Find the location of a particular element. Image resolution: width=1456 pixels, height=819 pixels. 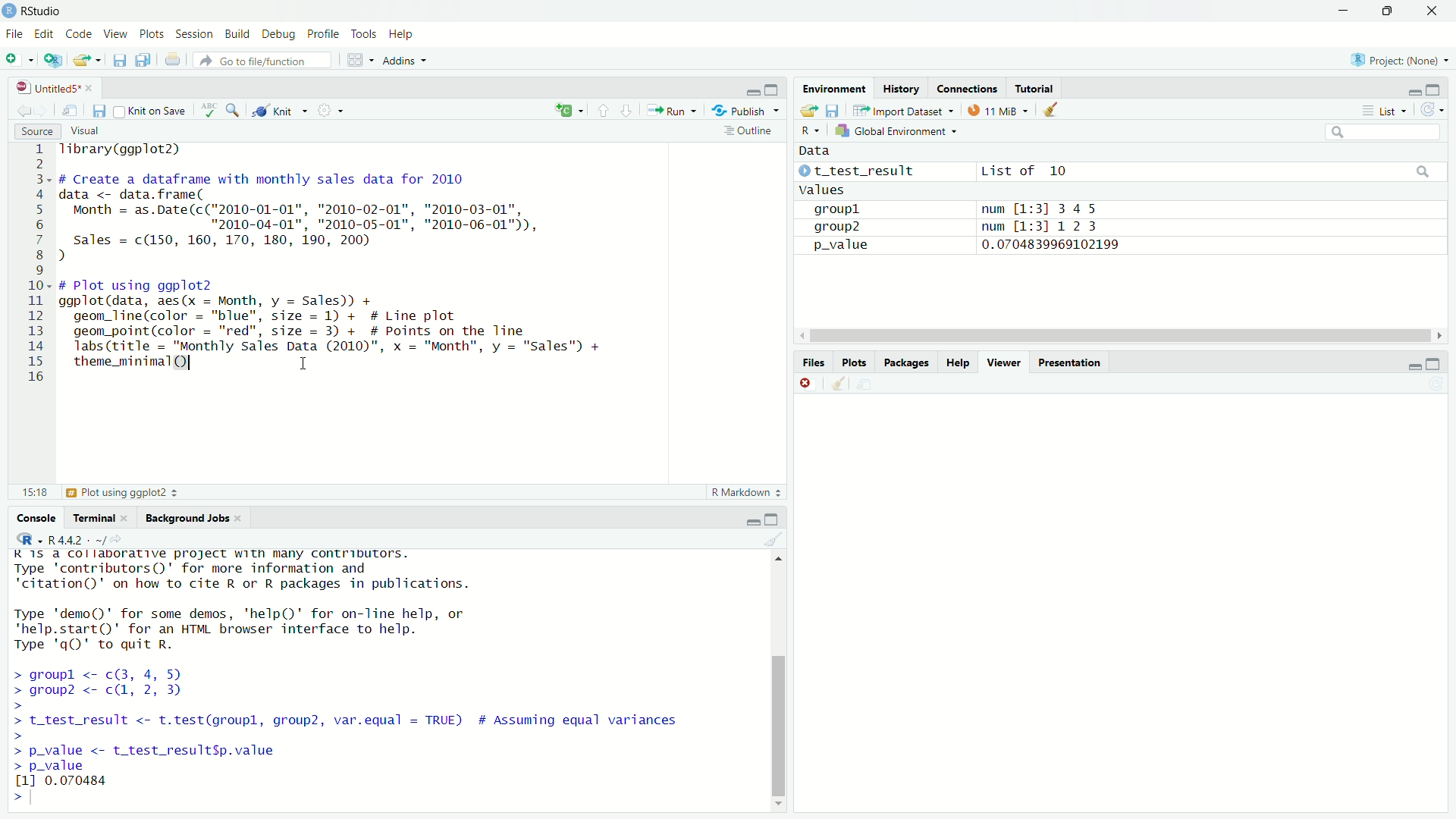

minimise is located at coordinates (1436, 363).